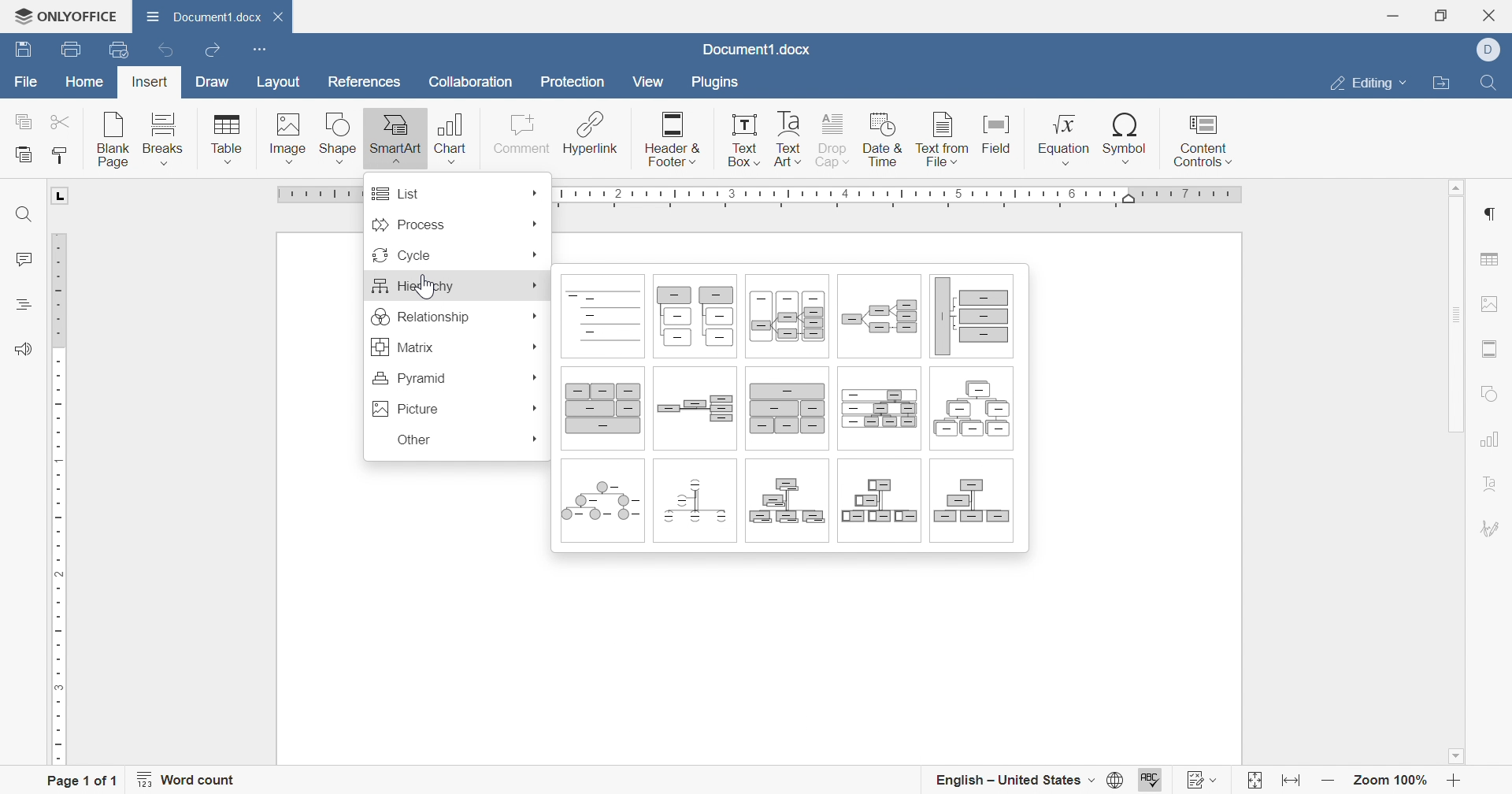  Describe the element at coordinates (1489, 531) in the screenshot. I see `Signature settings` at that location.